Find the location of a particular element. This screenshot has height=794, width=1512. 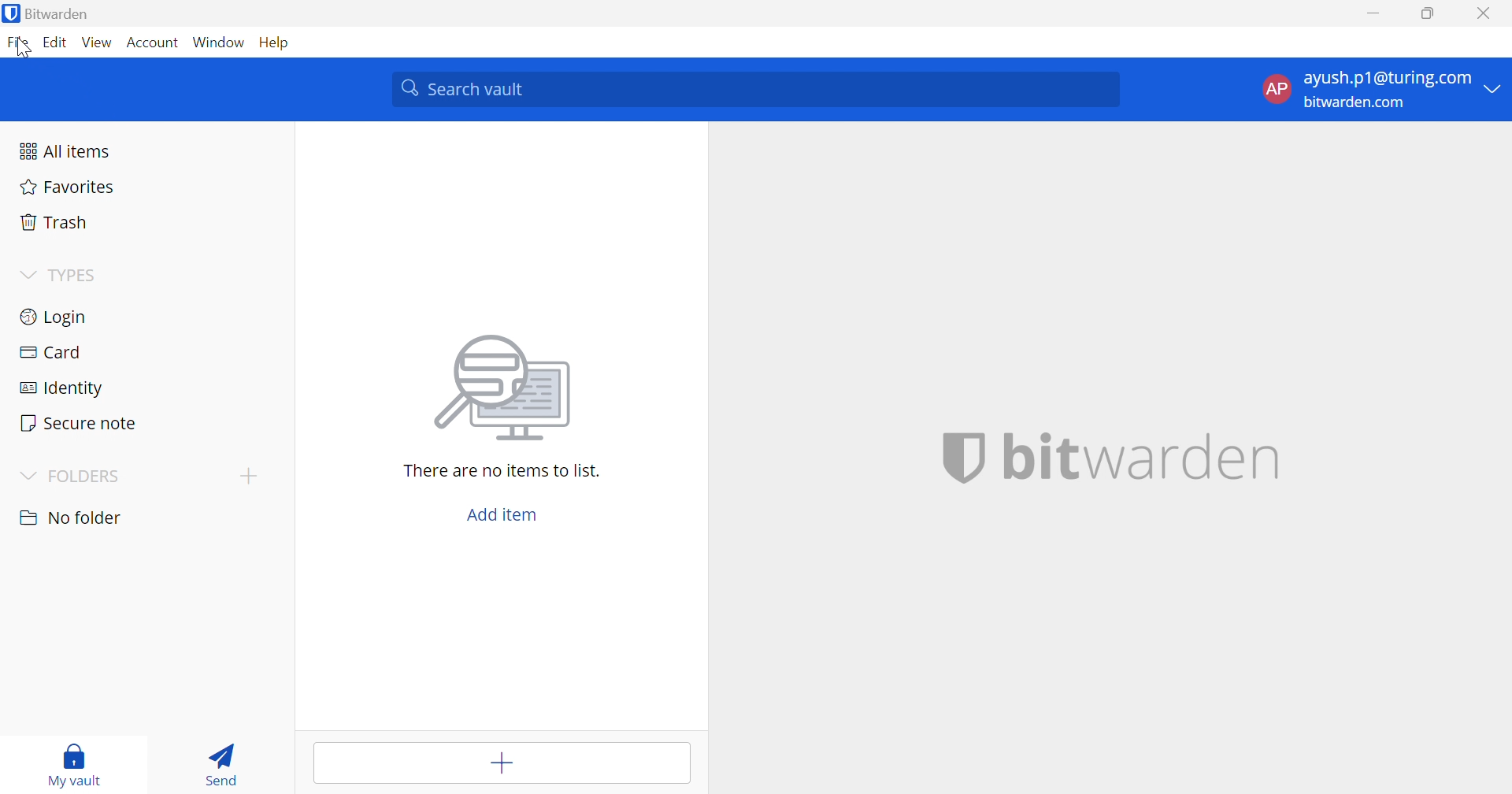

Trash is located at coordinates (51, 222).